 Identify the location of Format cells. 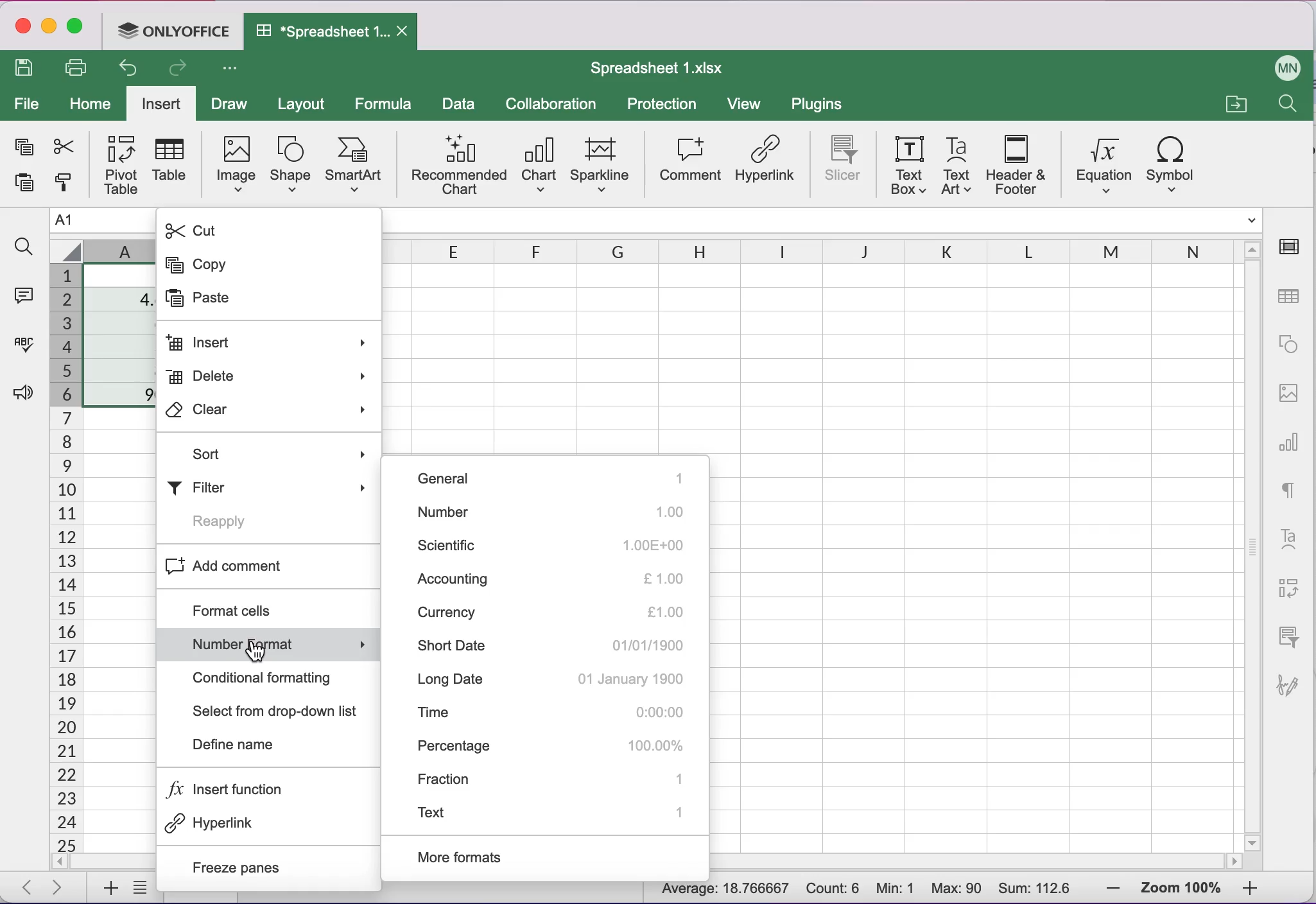
(269, 608).